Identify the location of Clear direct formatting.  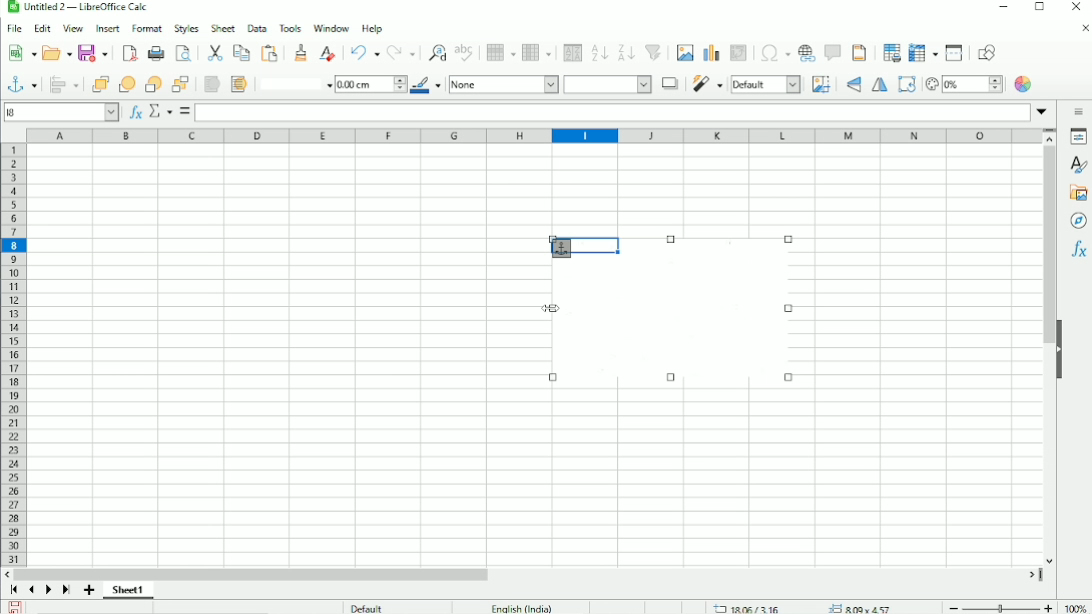
(327, 52).